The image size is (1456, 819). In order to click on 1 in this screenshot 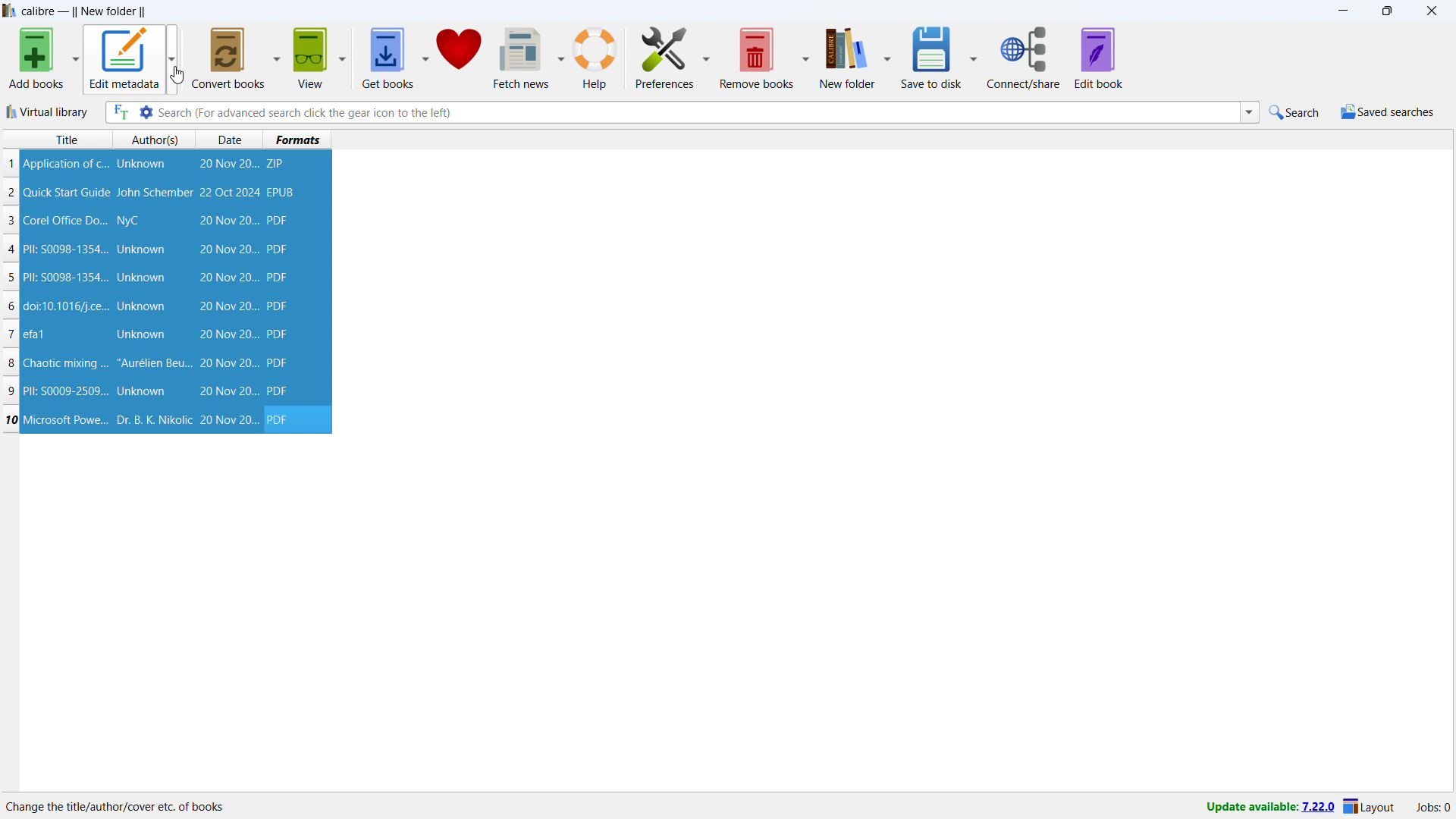, I will do `click(11, 164)`.